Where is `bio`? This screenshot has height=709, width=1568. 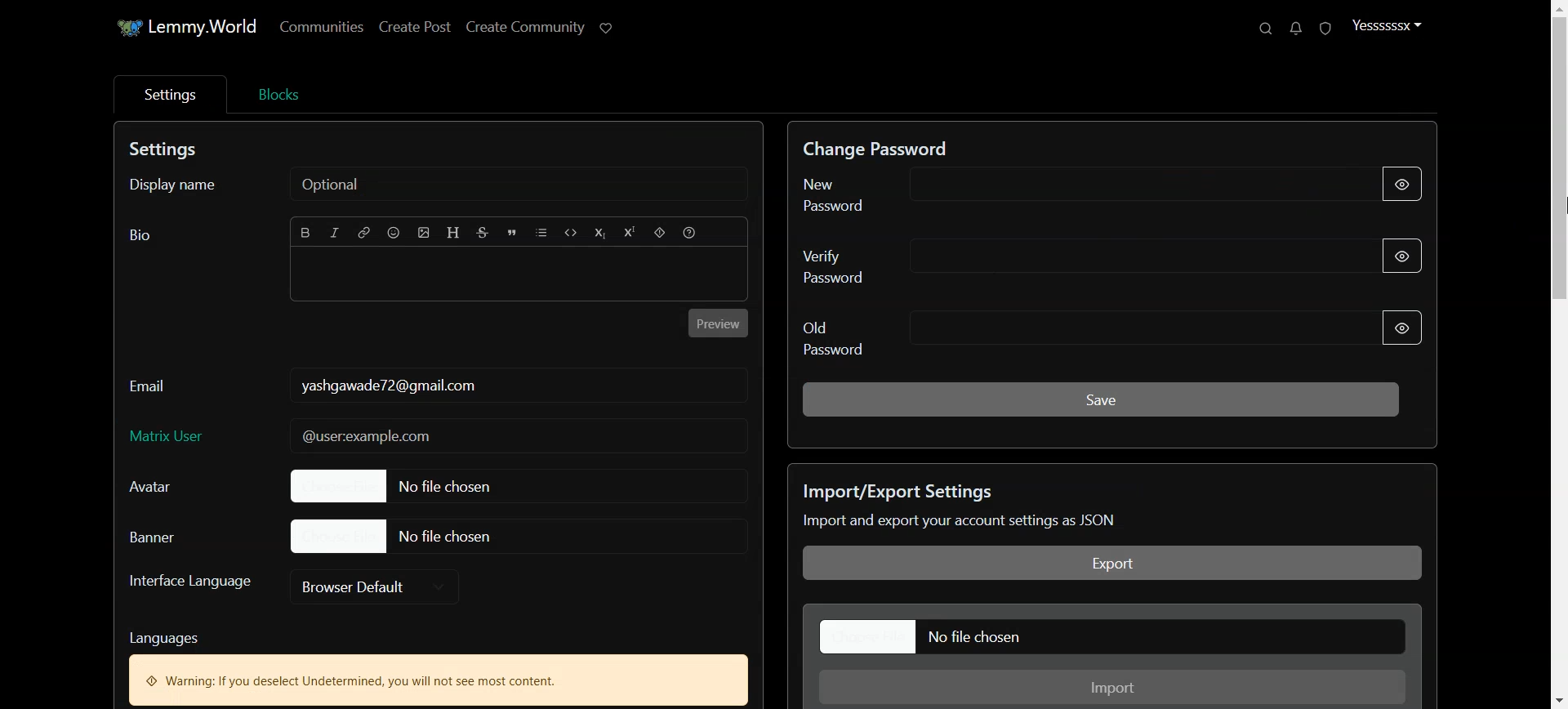
bio is located at coordinates (136, 238).